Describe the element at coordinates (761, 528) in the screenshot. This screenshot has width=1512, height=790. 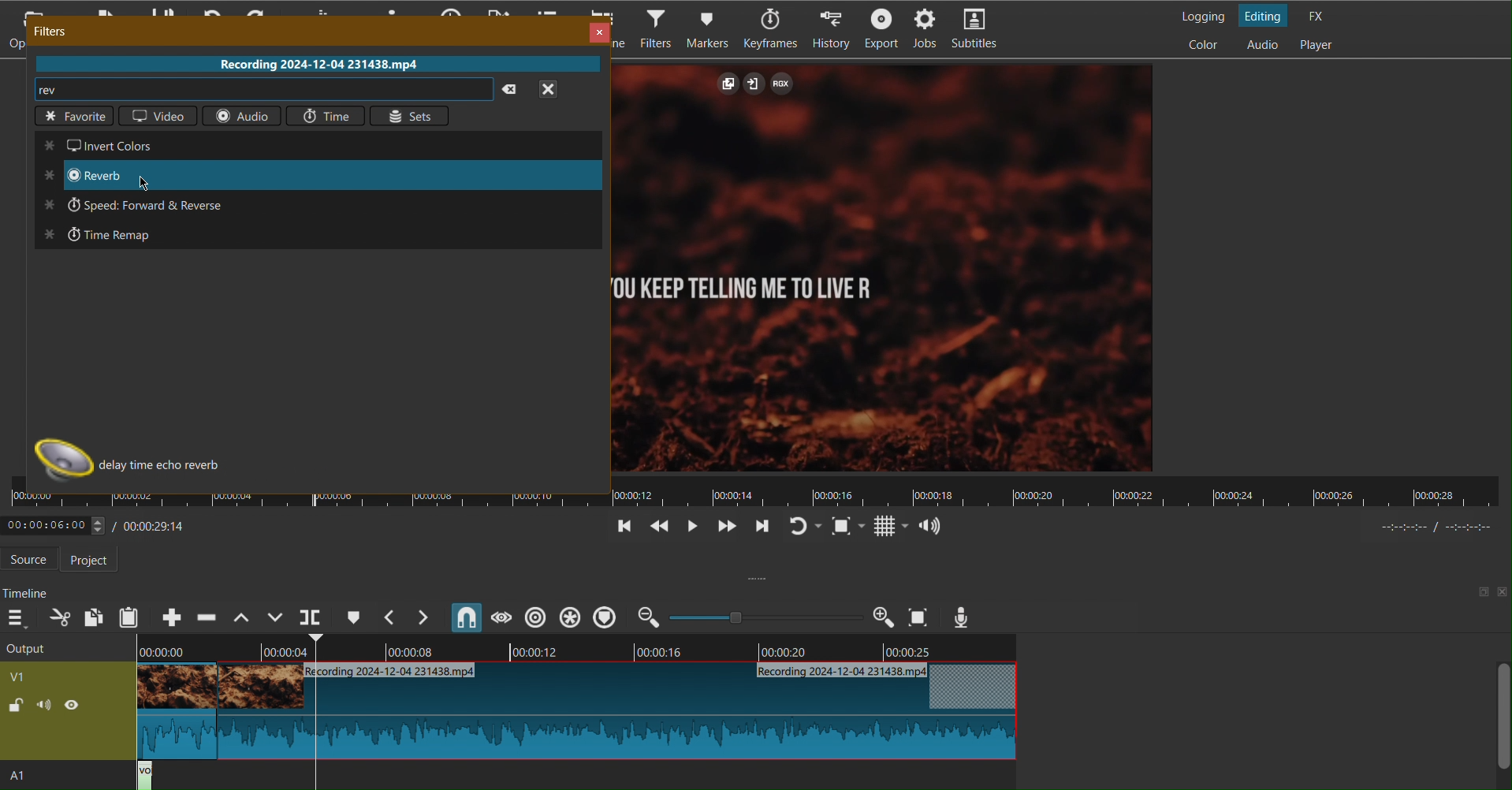
I see `Jump Forward` at that location.